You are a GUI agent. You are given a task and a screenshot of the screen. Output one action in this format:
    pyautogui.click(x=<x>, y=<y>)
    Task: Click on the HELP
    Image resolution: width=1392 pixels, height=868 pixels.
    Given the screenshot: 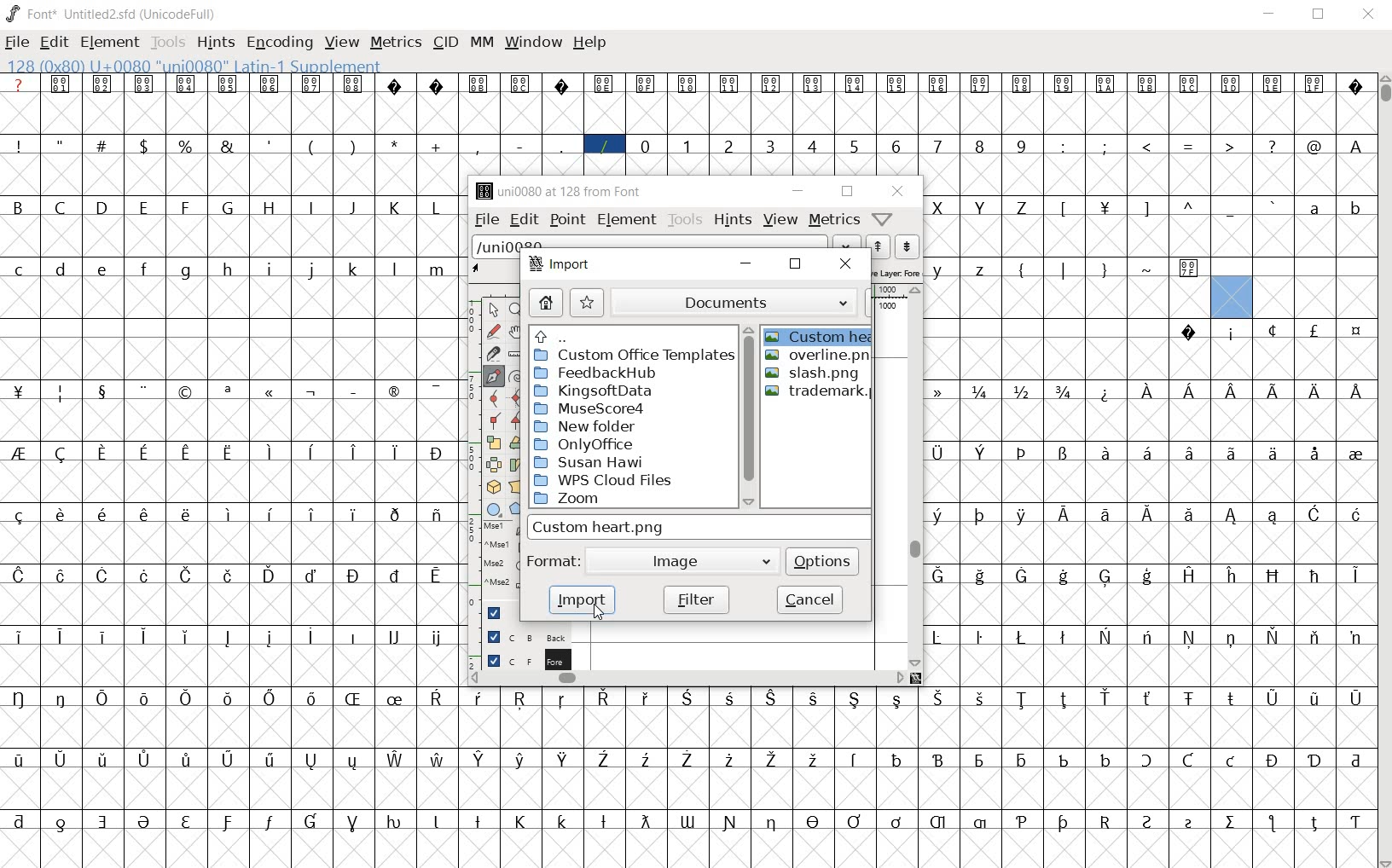 What is the action you would take?
    pyautogui.click(x=591, y=44)
    